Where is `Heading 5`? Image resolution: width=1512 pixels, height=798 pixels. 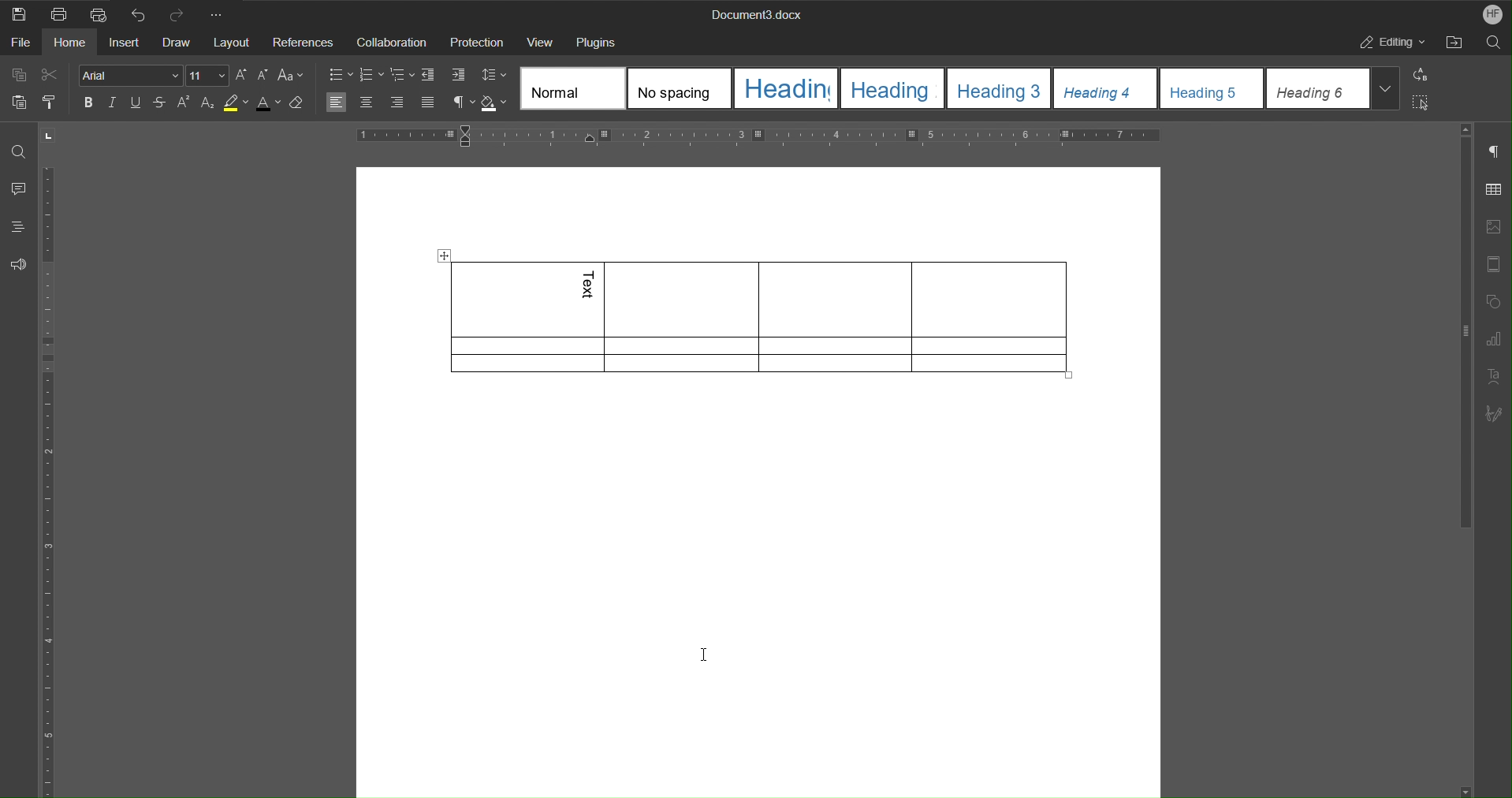
Heading 5 is located at coordinates (1212, 89).